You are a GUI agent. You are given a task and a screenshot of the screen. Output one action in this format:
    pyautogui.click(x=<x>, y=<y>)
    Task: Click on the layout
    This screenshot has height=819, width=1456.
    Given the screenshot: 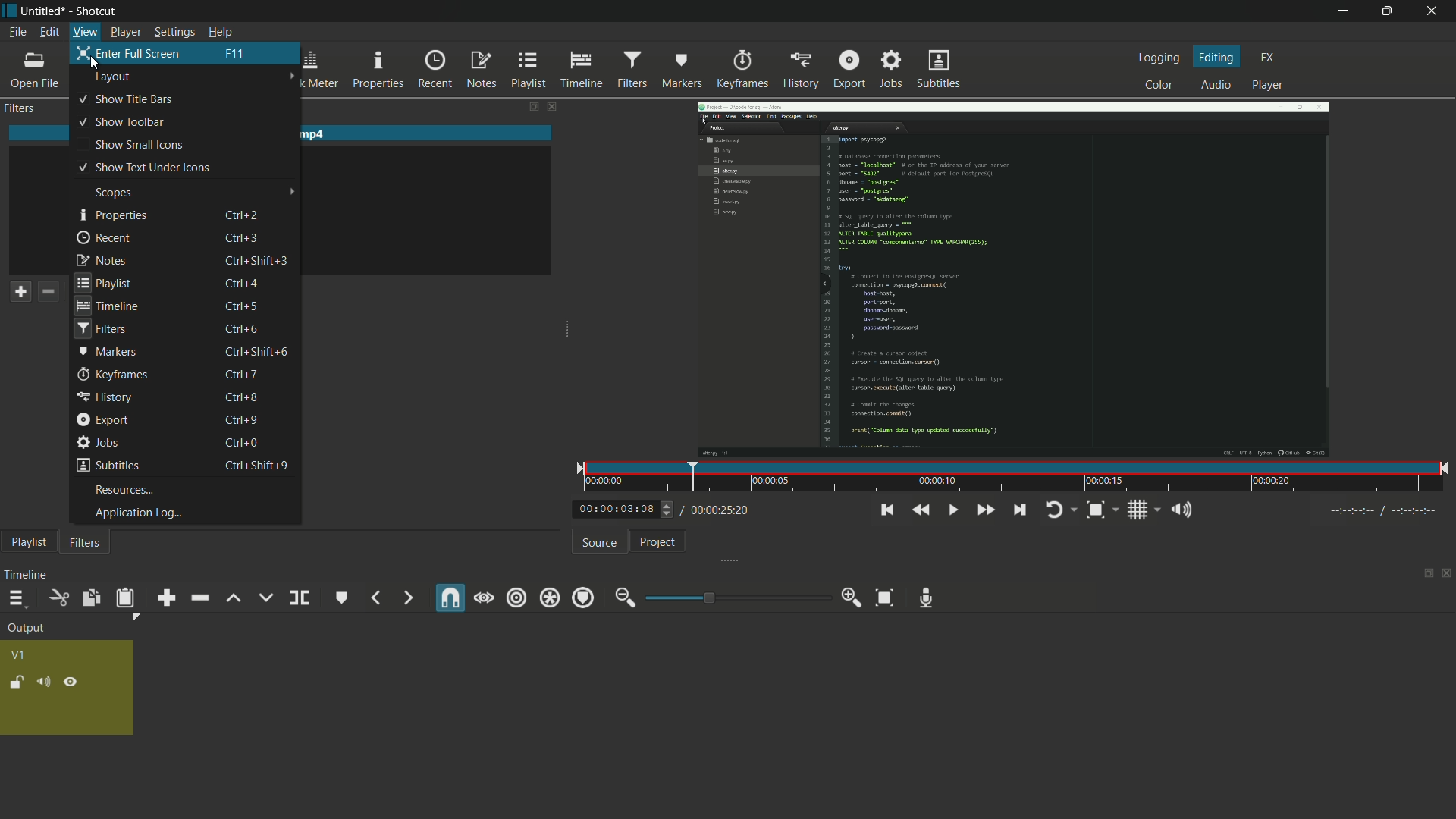 What is the action you would take?
    pyautogui.click(x=113, y=80)
    